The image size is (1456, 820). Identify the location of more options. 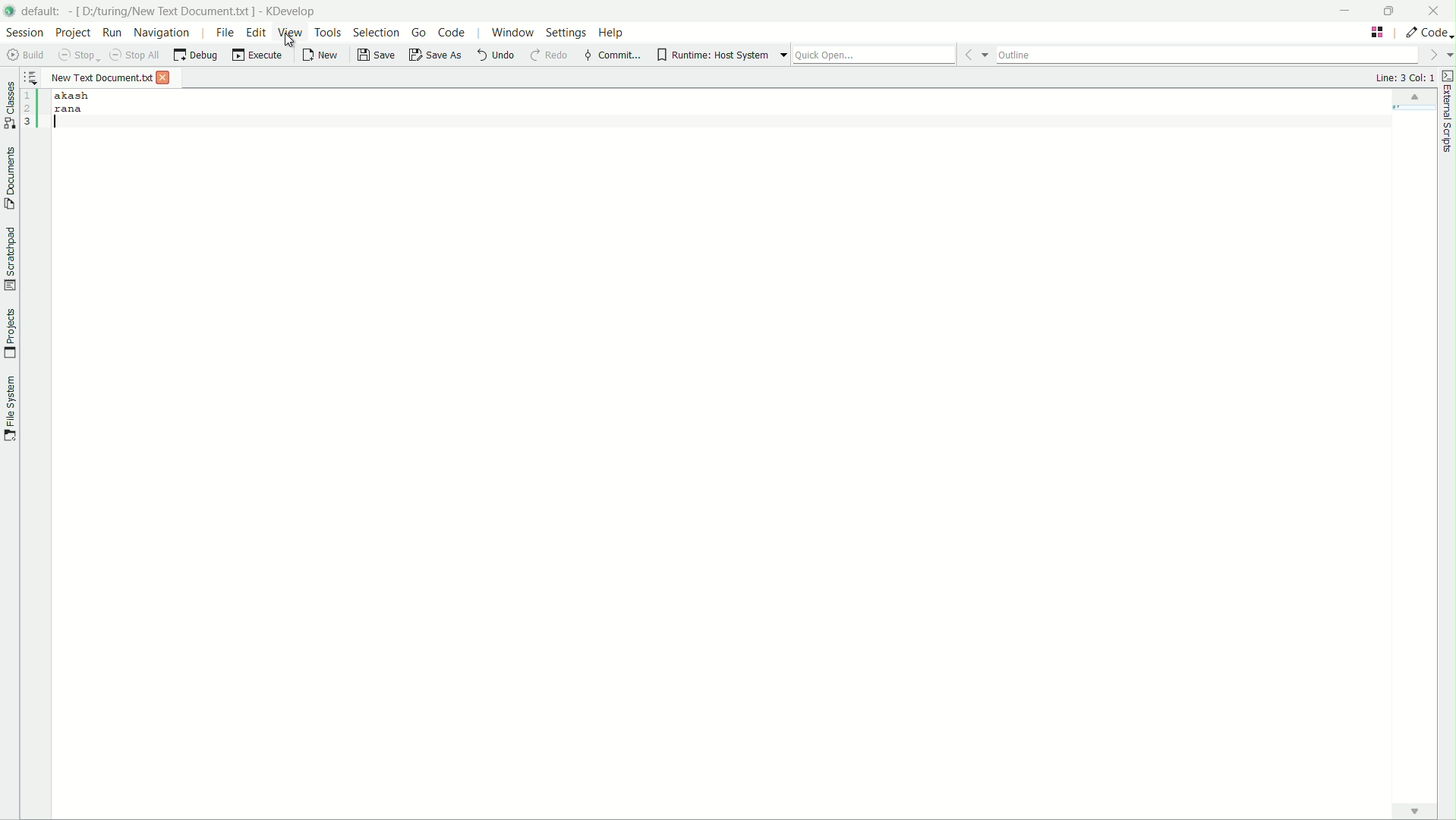
(1439, 55).